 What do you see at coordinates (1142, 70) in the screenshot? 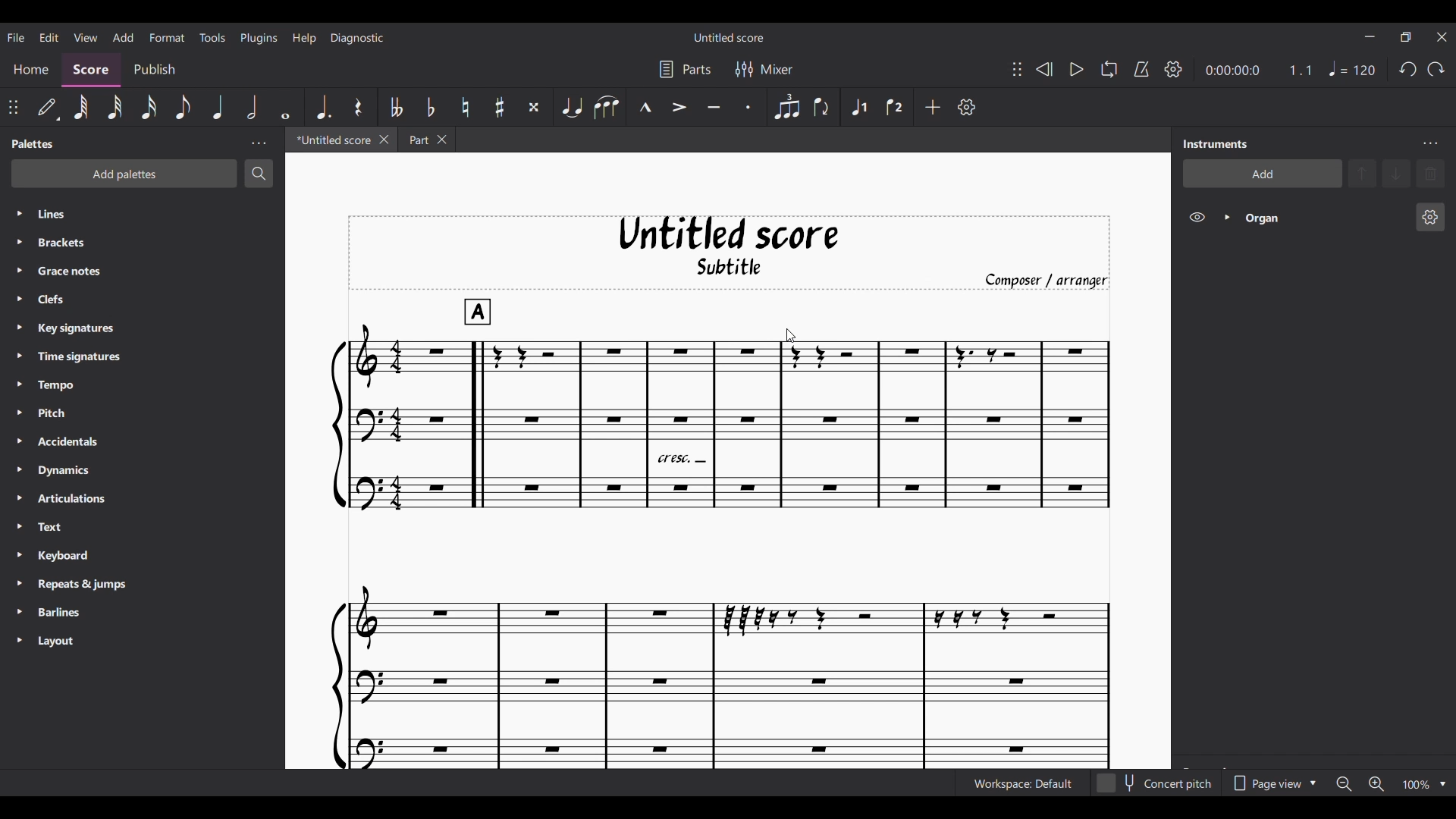
I see `Metronome` at bounding box center [1142, 70].